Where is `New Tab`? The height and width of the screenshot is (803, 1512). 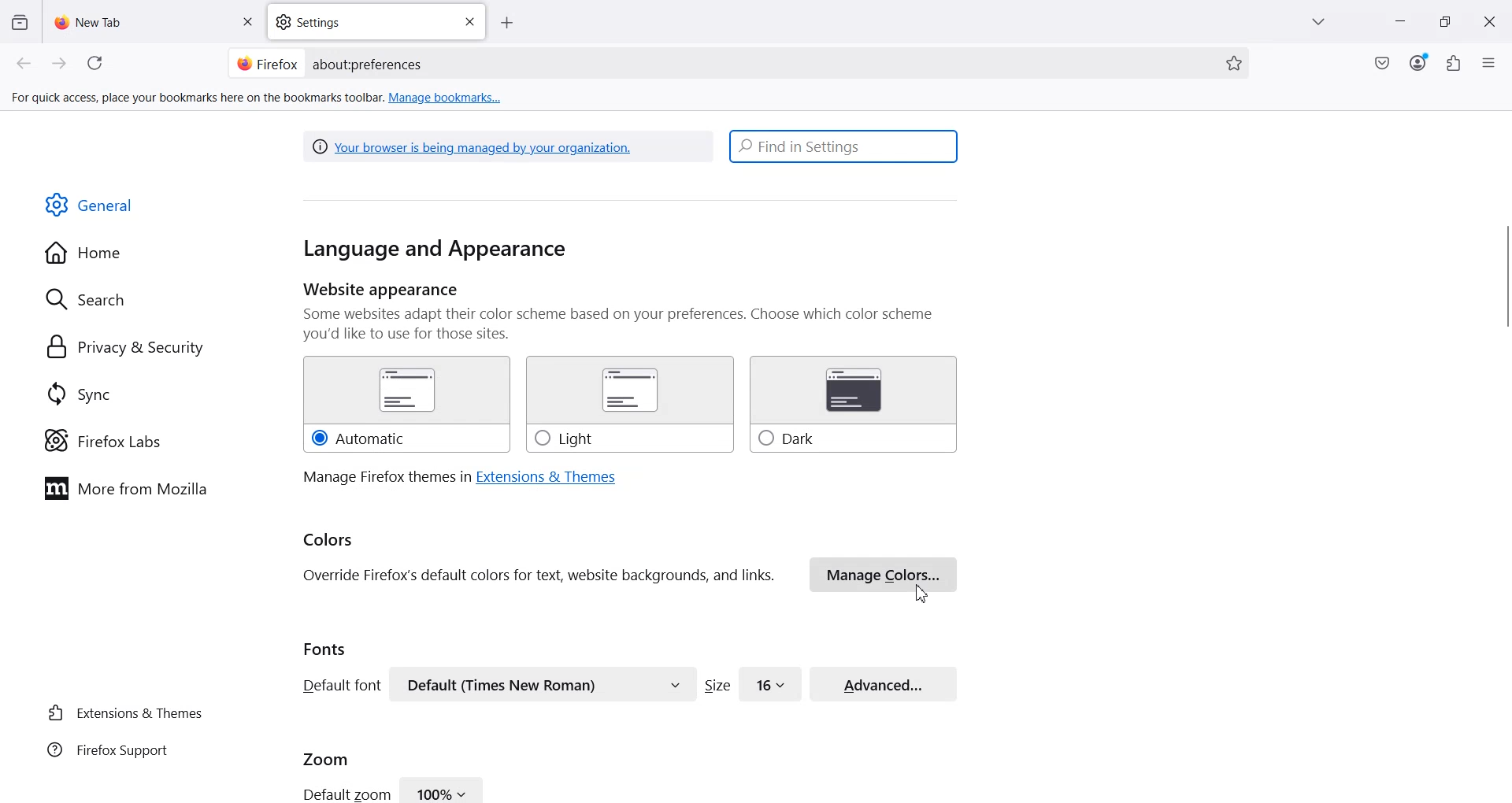 New Tab is located at coordinates (155, 21).